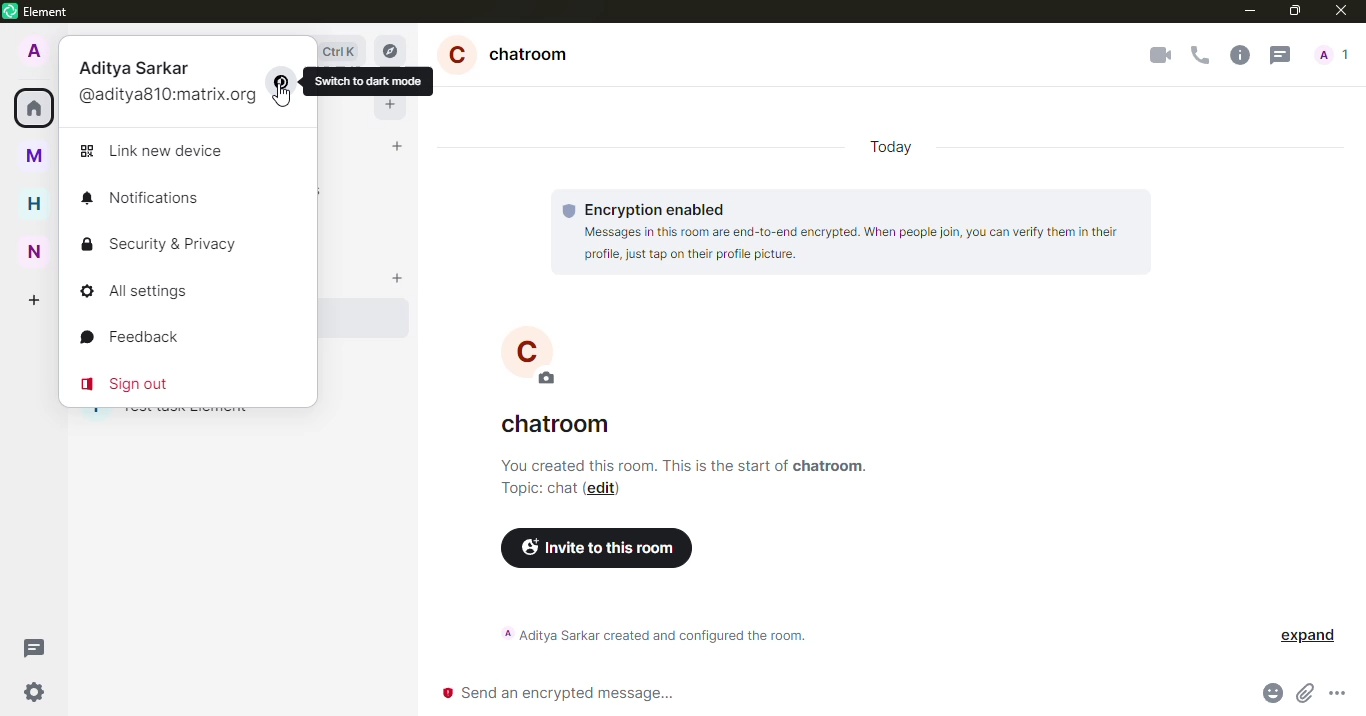  What do you see at coordinates (49, 13) in the screenshot?
I see `element` at bounding box center [49, 13].